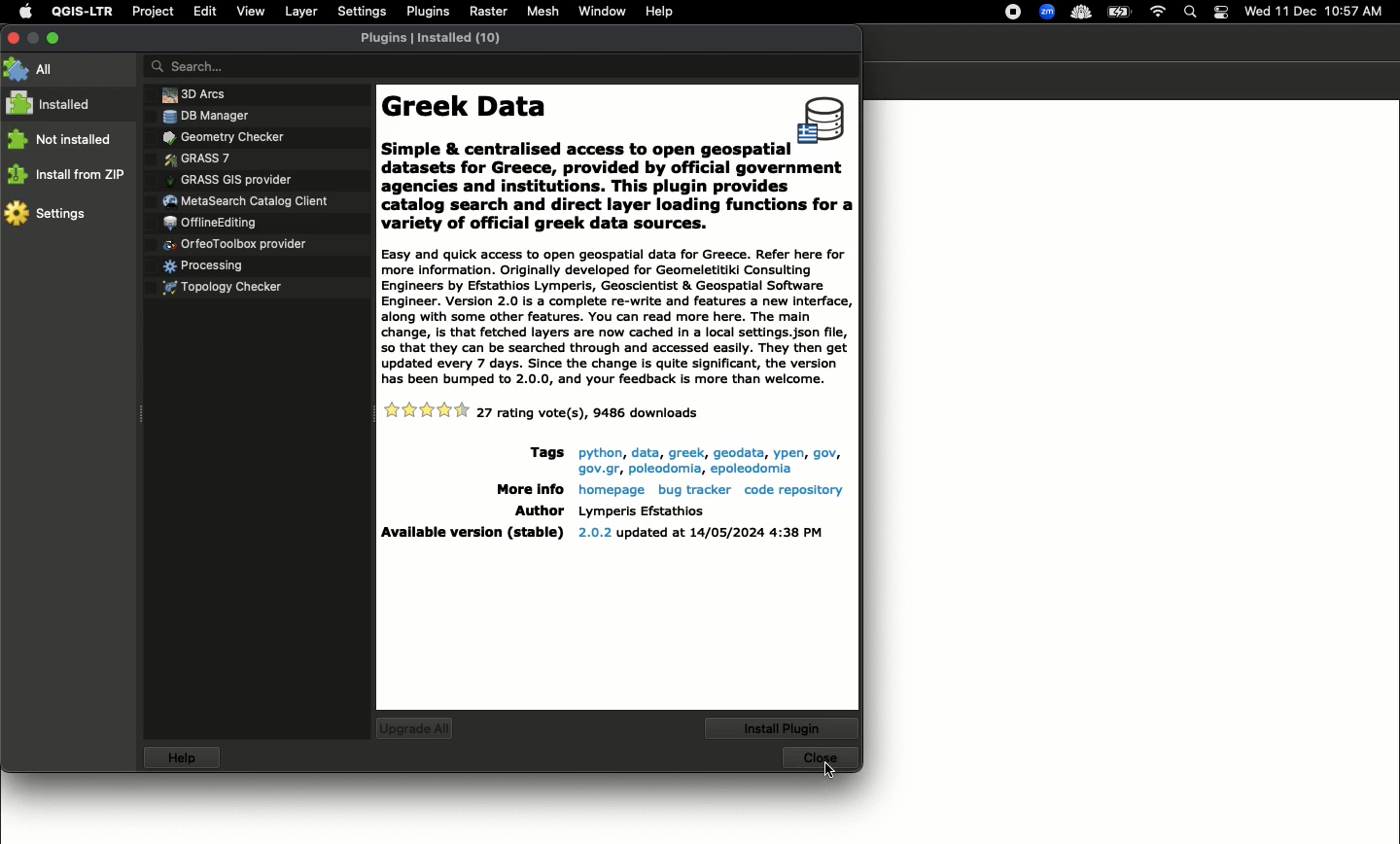 This screenshot has height=844, width=1400. I want to click on Greek data, so click(616, 317).